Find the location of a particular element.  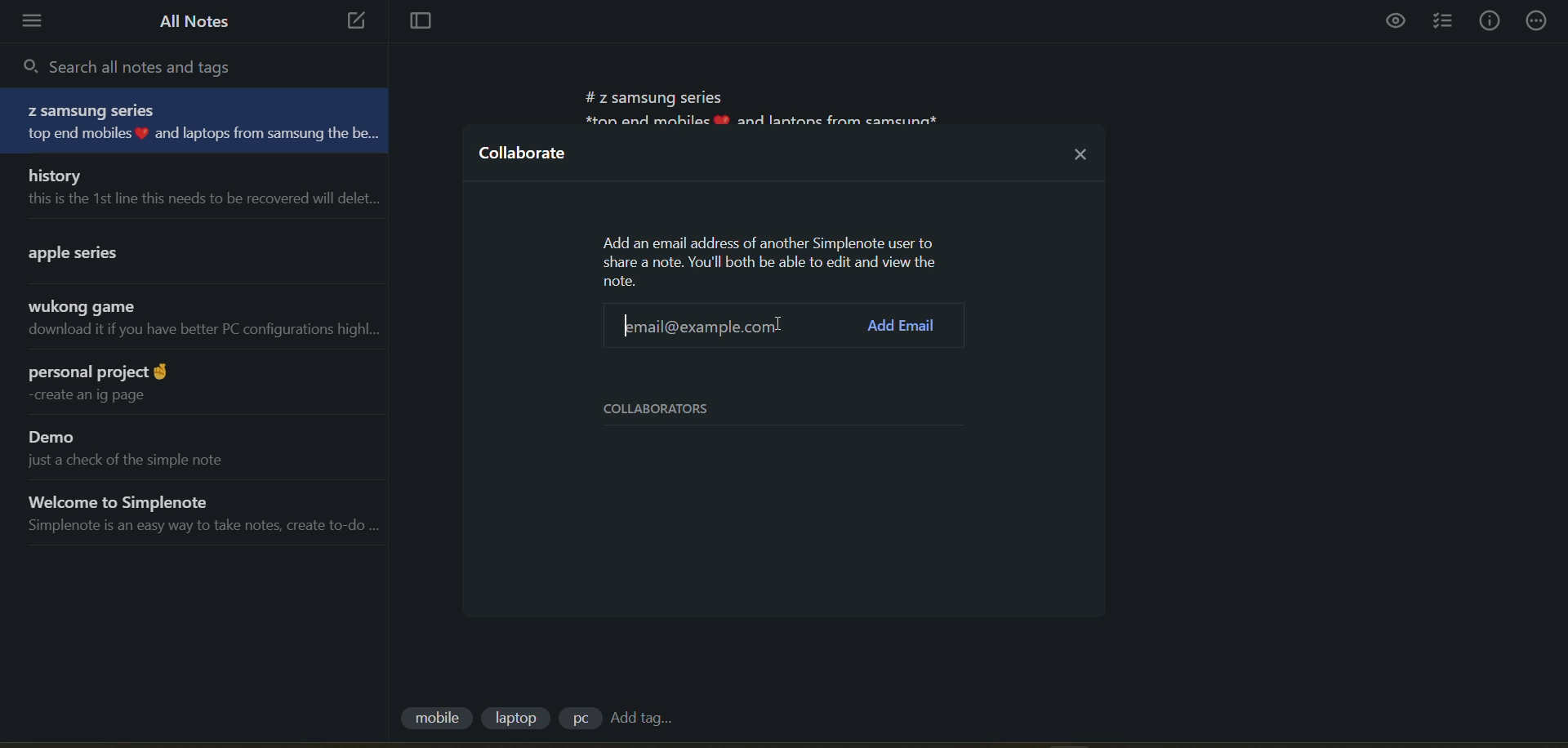

cursor is located at coordinates (777, 324).